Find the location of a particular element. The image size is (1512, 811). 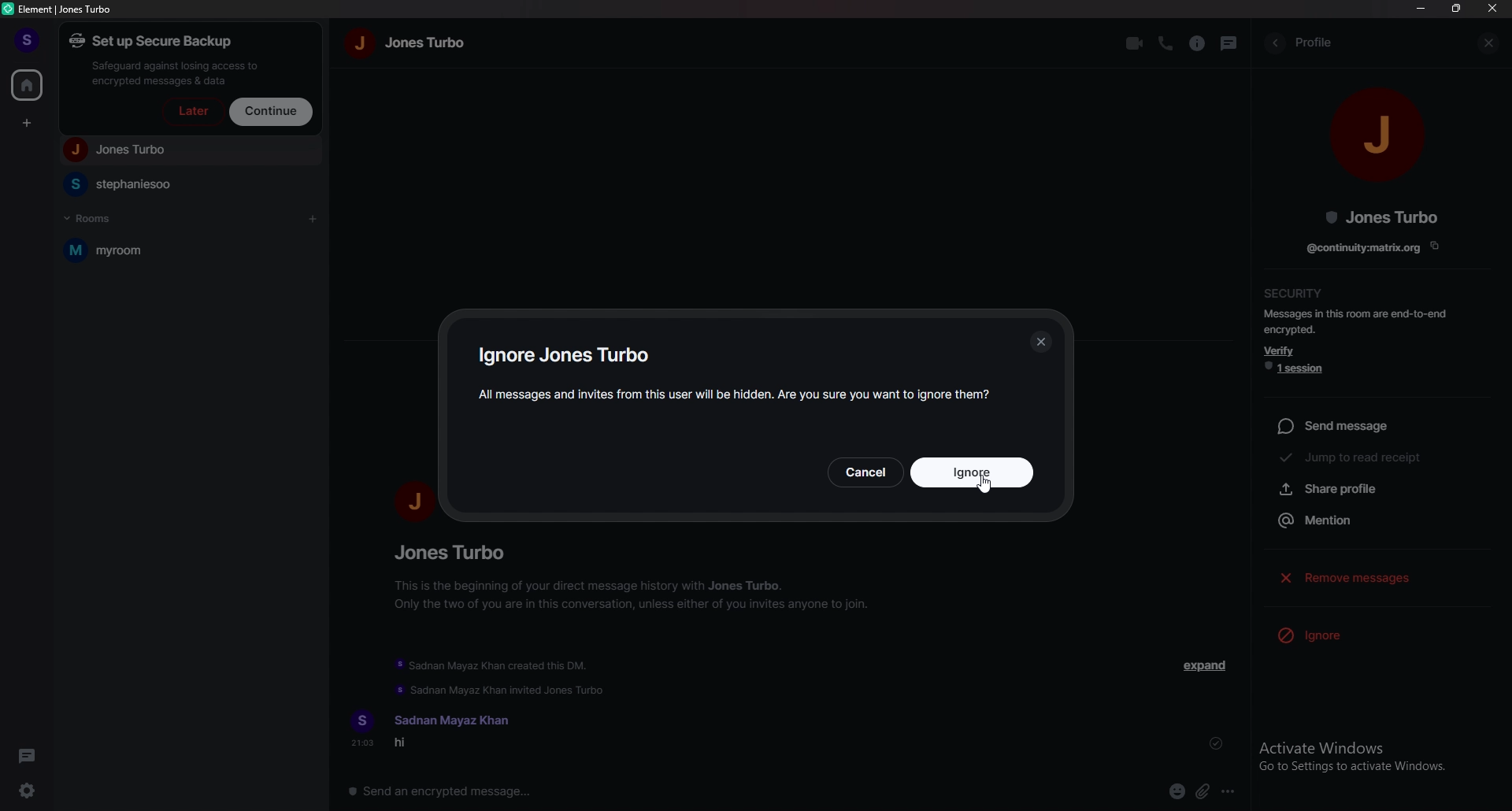

message box is located at coordinates (450, 790).